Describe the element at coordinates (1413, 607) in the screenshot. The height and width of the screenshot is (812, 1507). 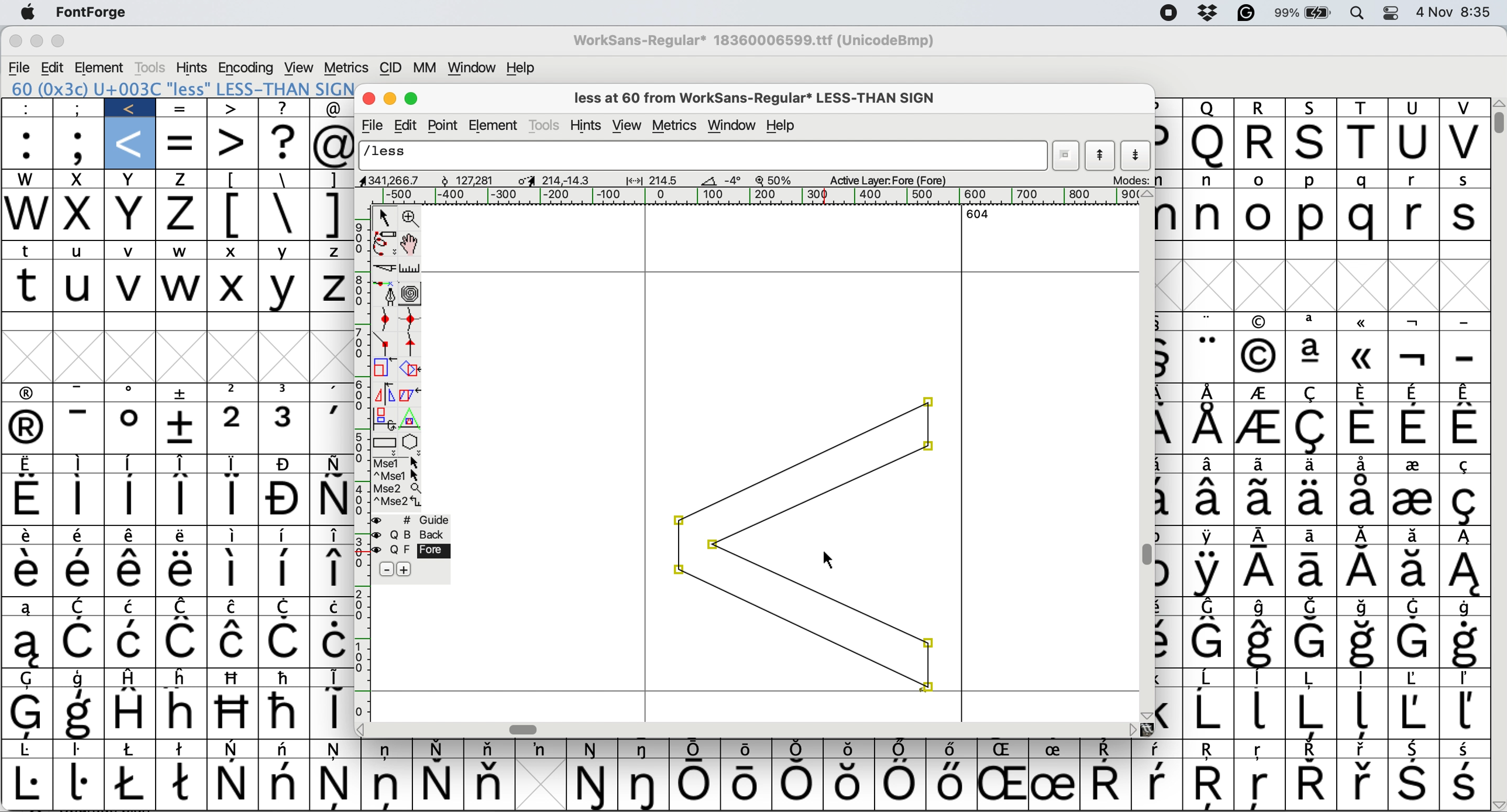
I see `Symbol` at that location.